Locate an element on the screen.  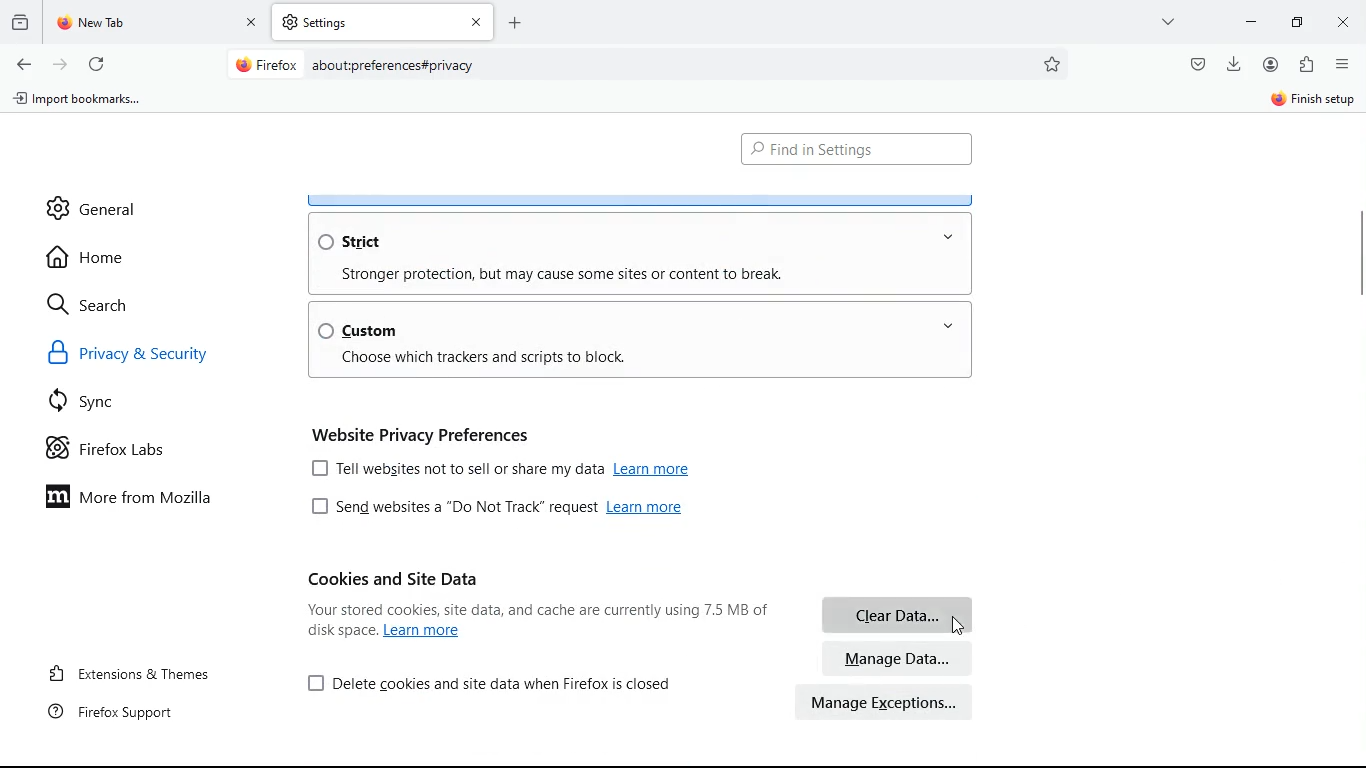
Stronger protection, but may cause some sites or content to break. is located at coordinates (565, 273).